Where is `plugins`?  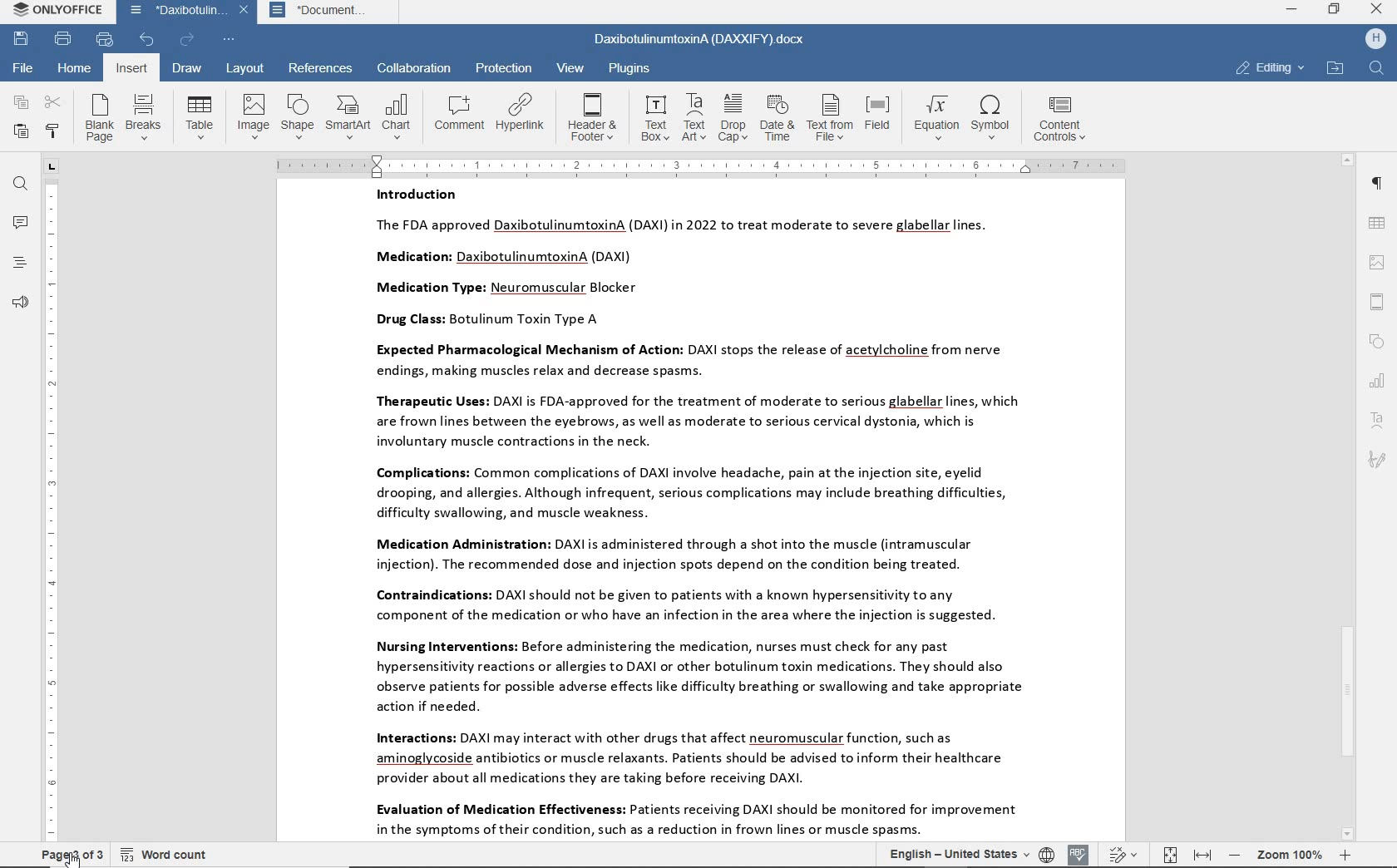
plugins is located at coordinates (633, 67).